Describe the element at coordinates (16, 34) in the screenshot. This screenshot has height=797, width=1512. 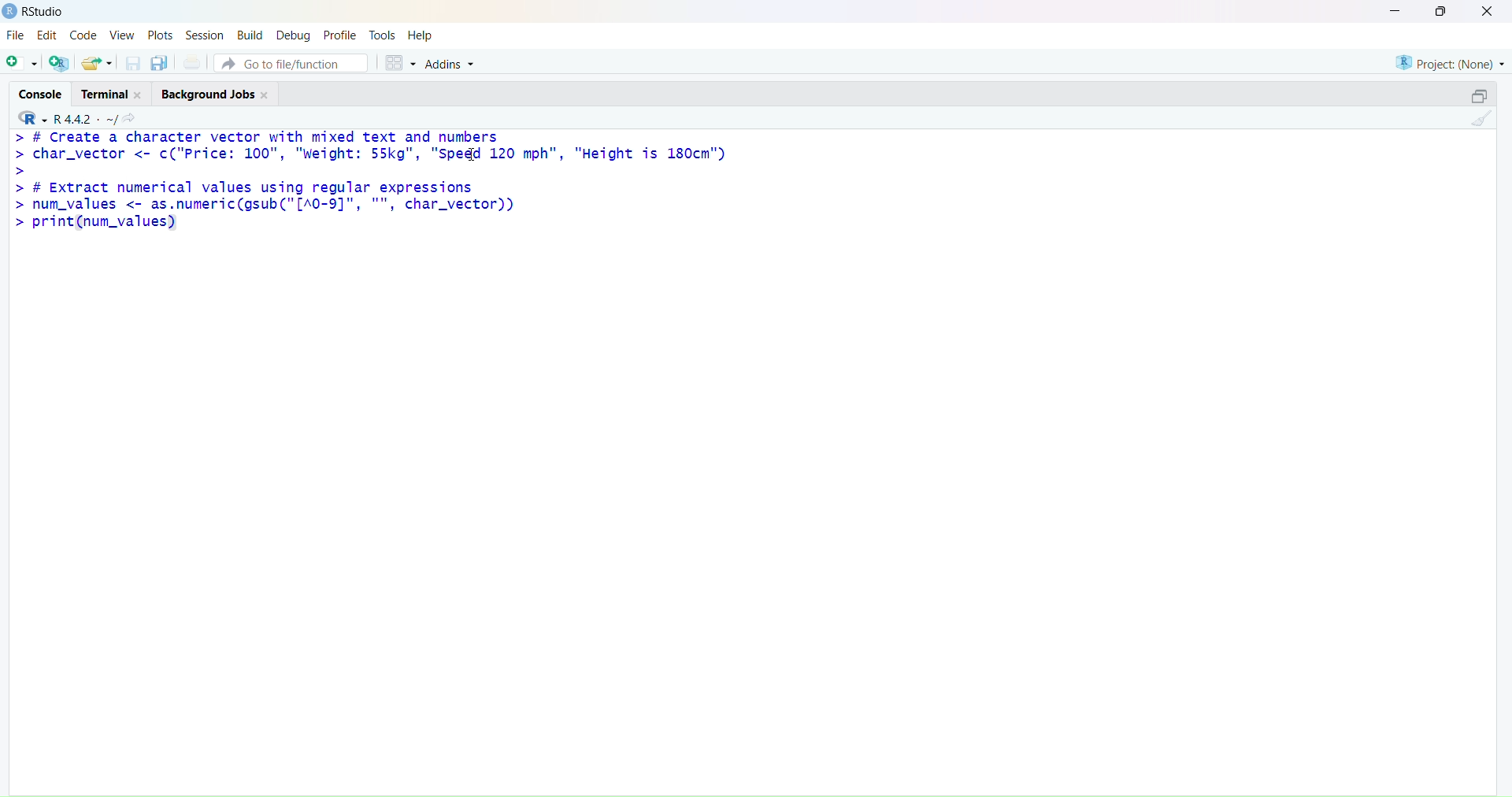
I see `file` at that location.